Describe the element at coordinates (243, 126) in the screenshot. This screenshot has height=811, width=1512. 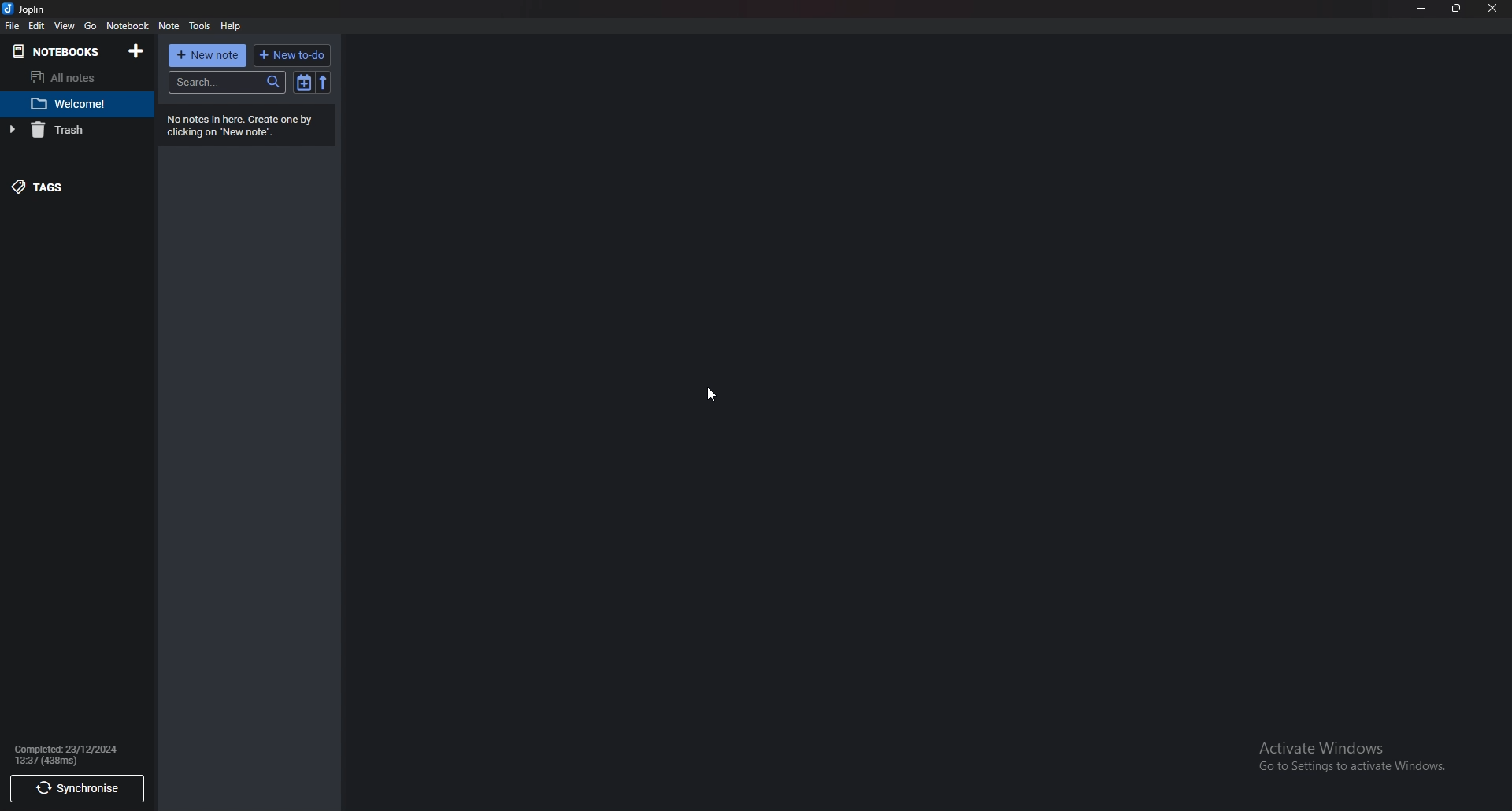
I see `info` at that location.